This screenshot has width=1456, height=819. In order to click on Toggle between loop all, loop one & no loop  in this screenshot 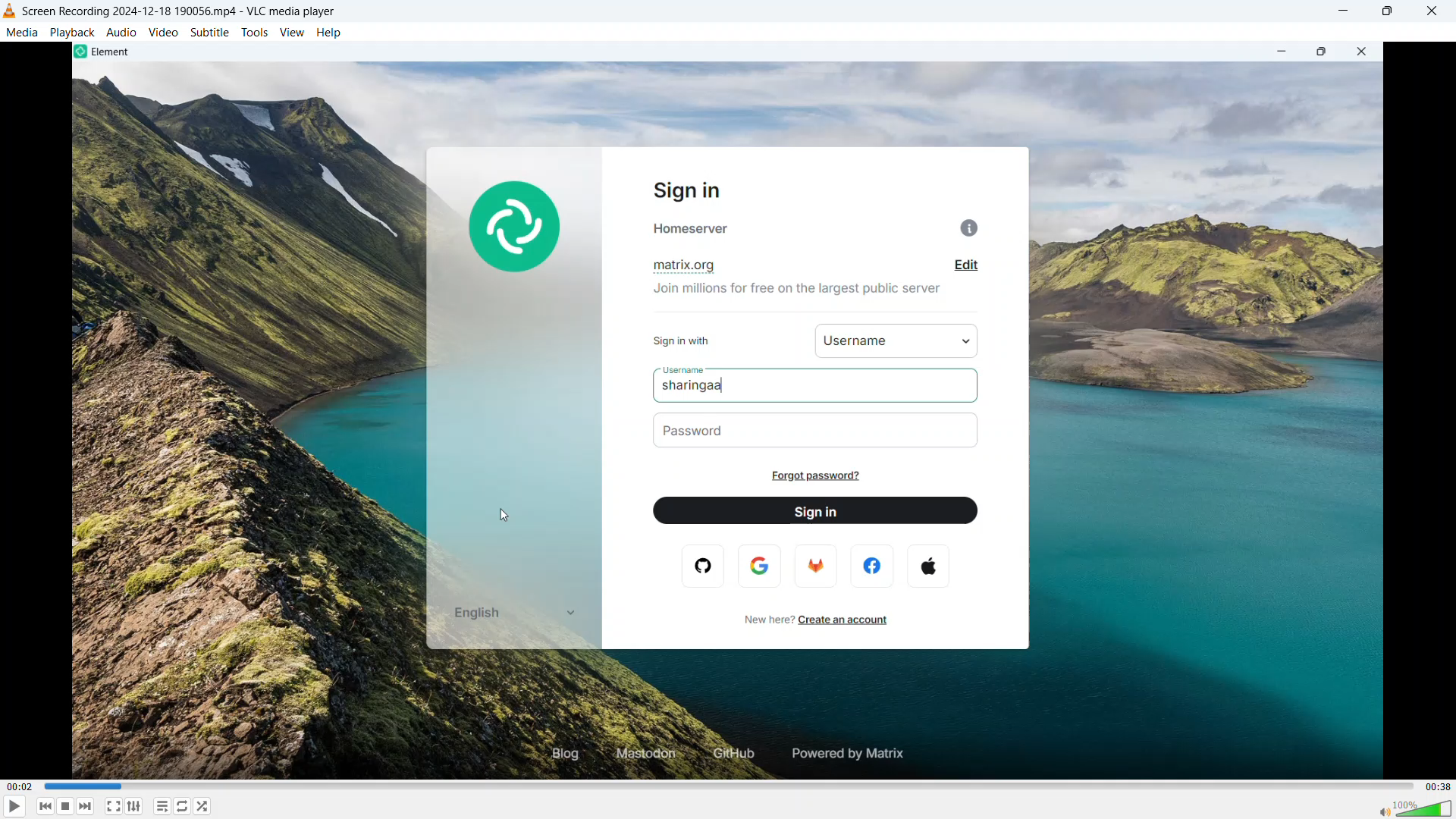, I will do `click(183, 805)`.